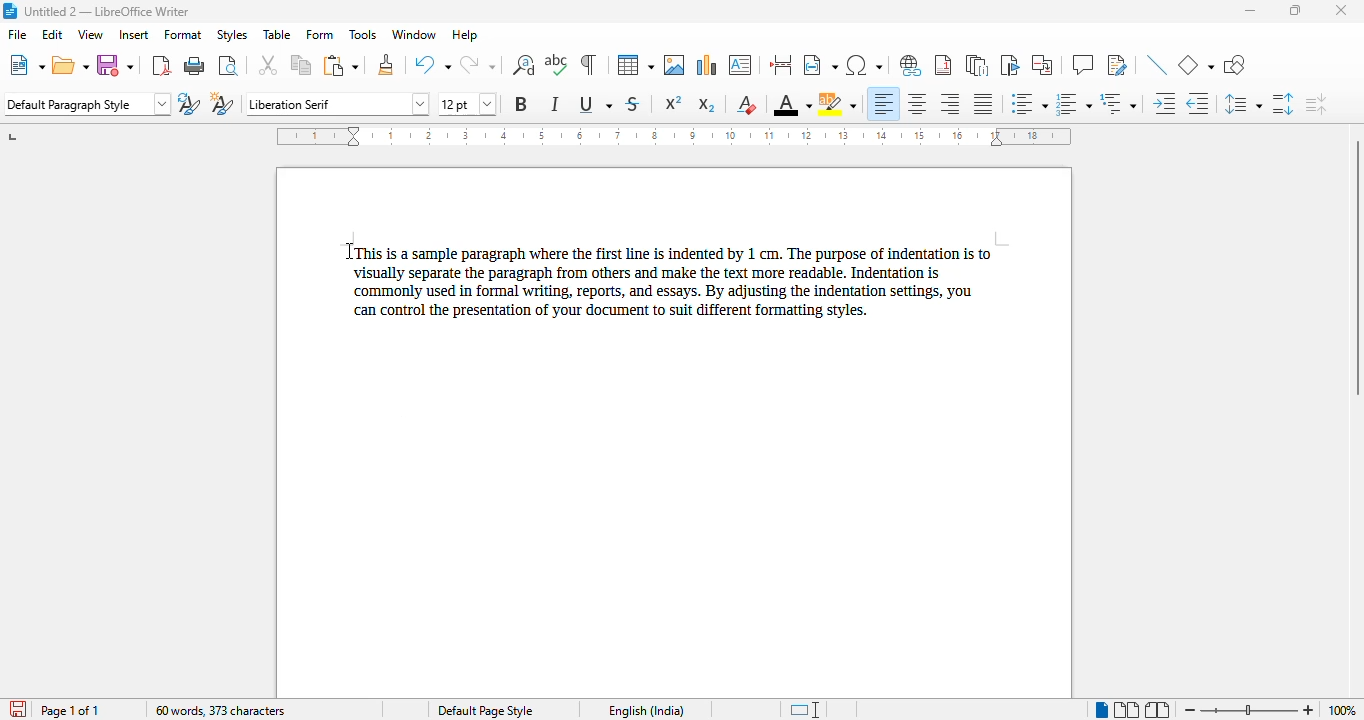  Describe the element at coordinates (1196, 65) in the screenshot. I see `basic shapes` at that location.